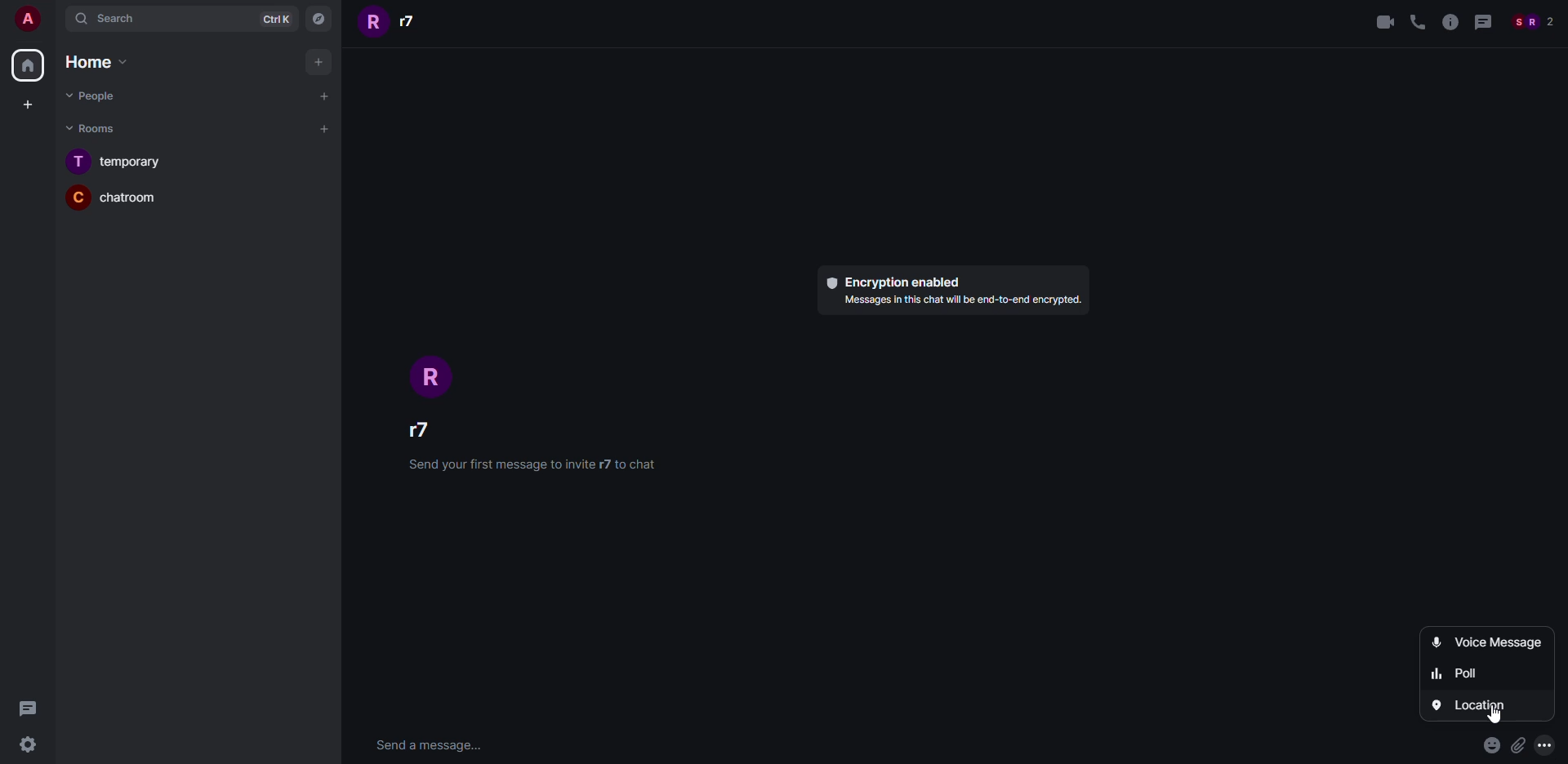 The image size is (1568, 764). I want to click on poll, so click(1453, 673).